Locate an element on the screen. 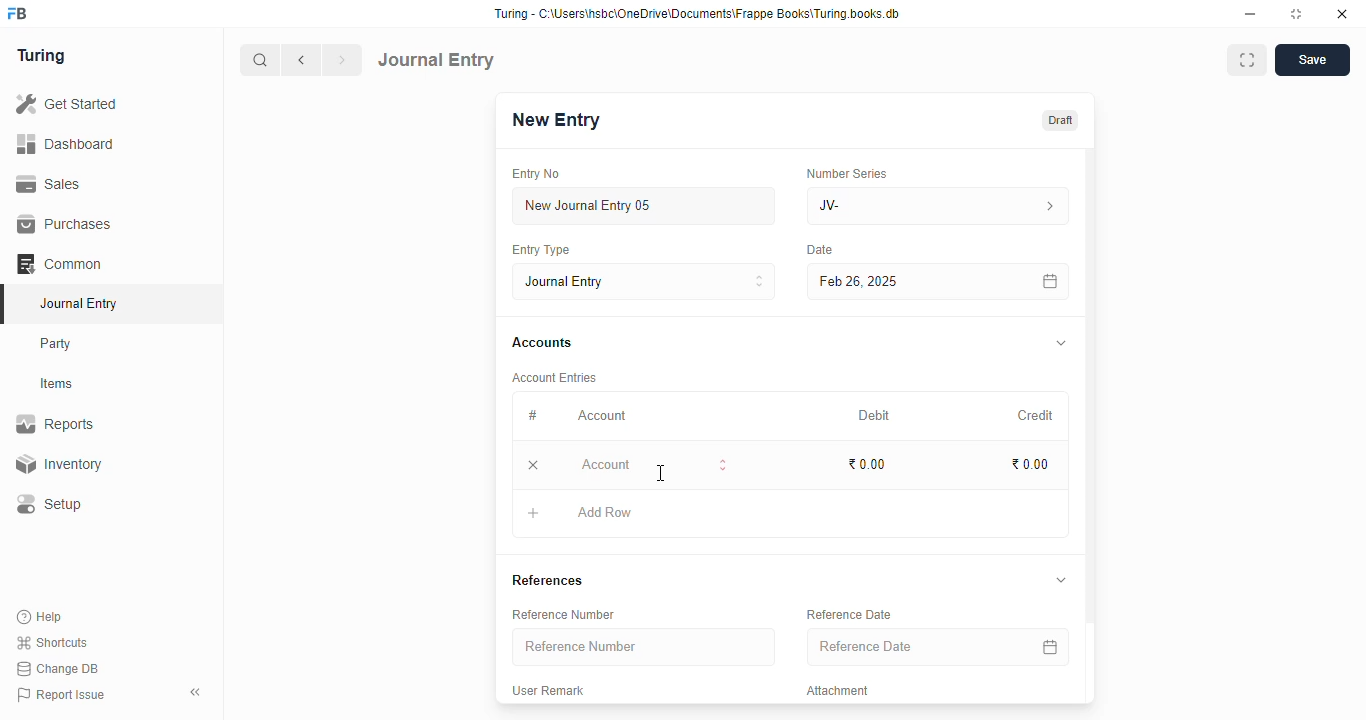 Image resolution: width=1366 pixels, height=720 pixels. cursor is located at coordinates (661, 473).